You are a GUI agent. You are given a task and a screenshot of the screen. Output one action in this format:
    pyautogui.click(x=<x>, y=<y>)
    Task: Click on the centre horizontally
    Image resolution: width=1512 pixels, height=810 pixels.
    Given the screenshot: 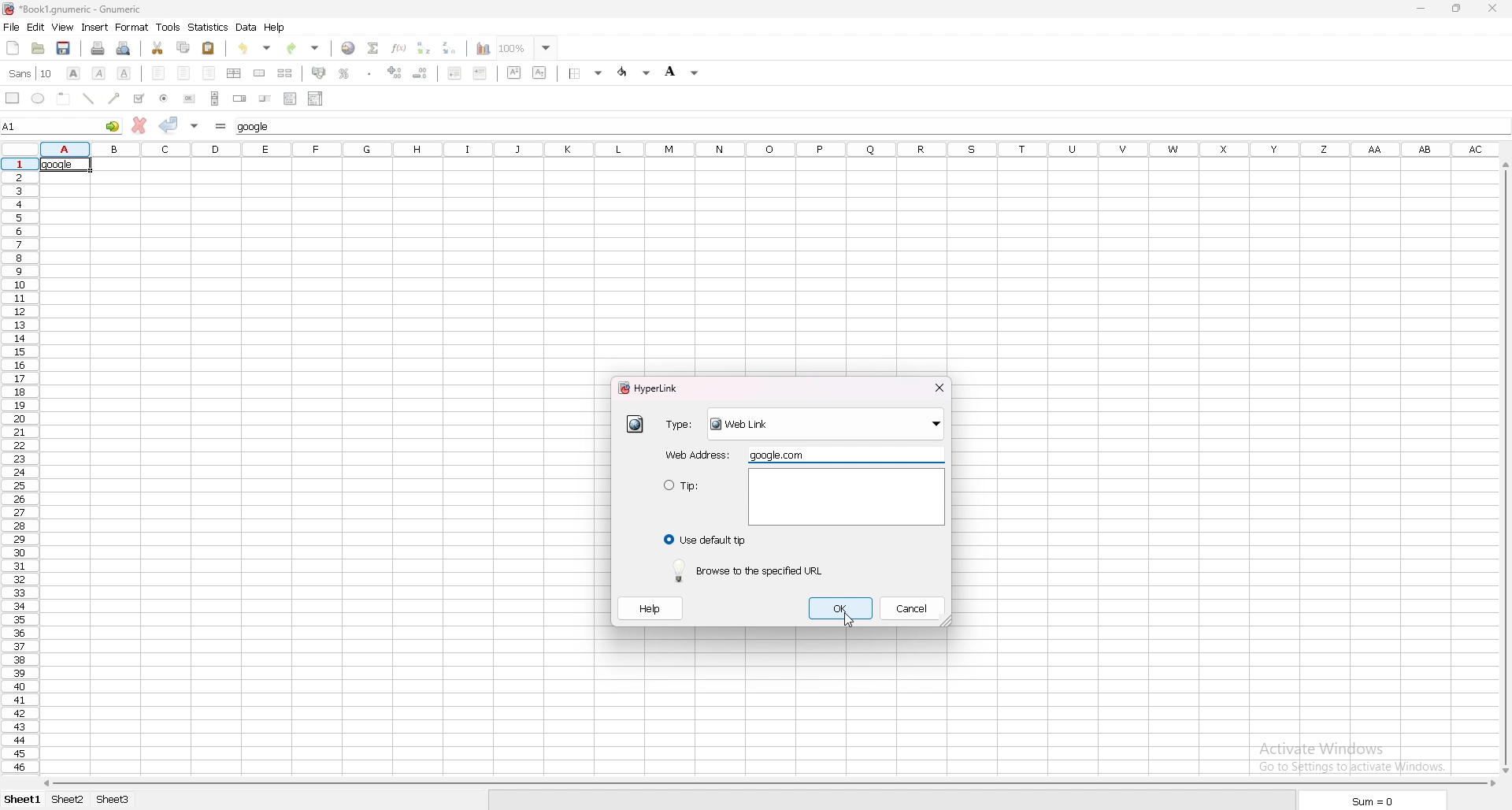 What is the action you would take?
    pyautogui.click(x=235, y=72)
    